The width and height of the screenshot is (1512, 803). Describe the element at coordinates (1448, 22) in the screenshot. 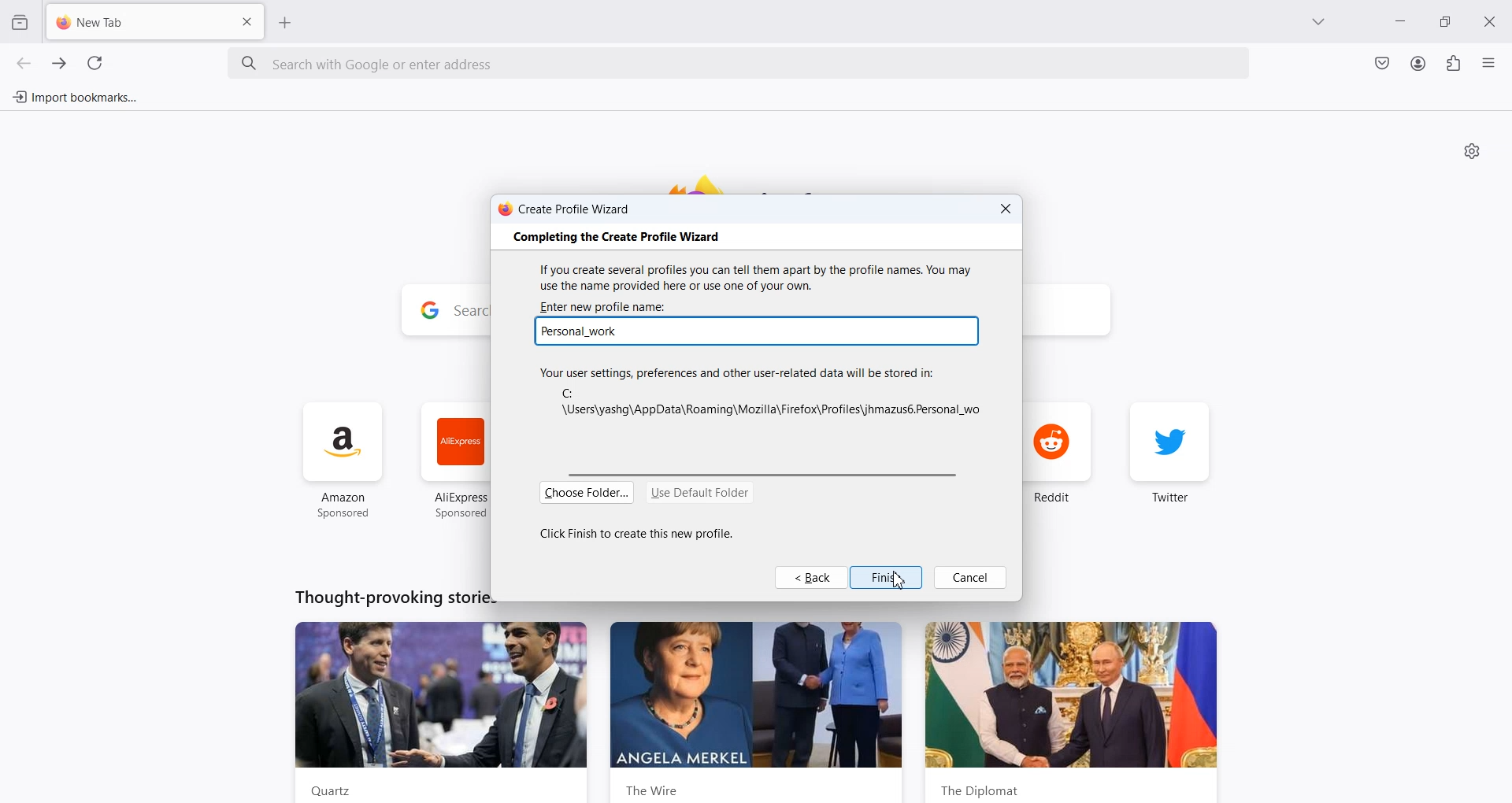

I see `Maximize` at that location.